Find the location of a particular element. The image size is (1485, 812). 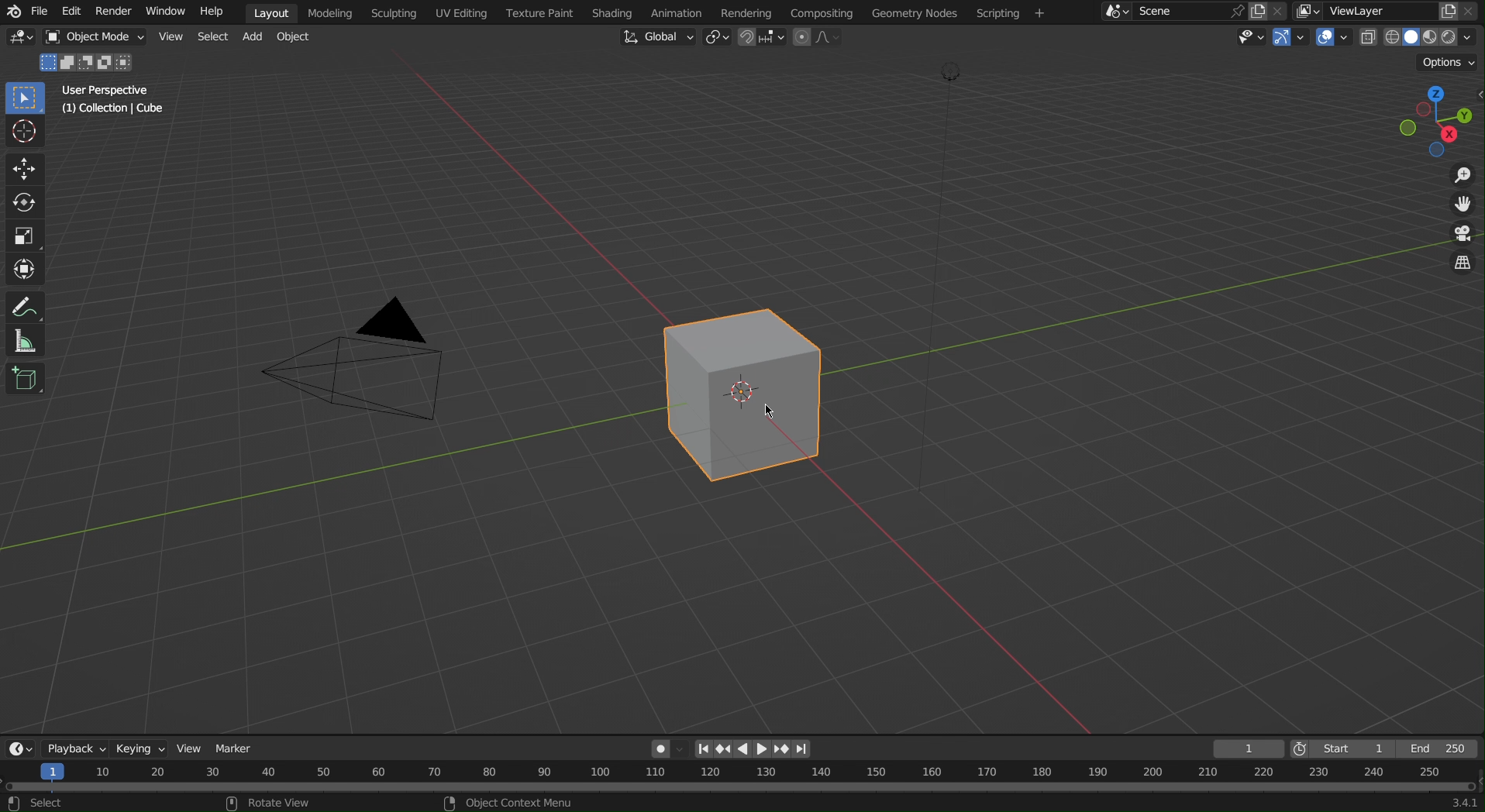

Transform Pivot Point is located at coordinates (718, 39).